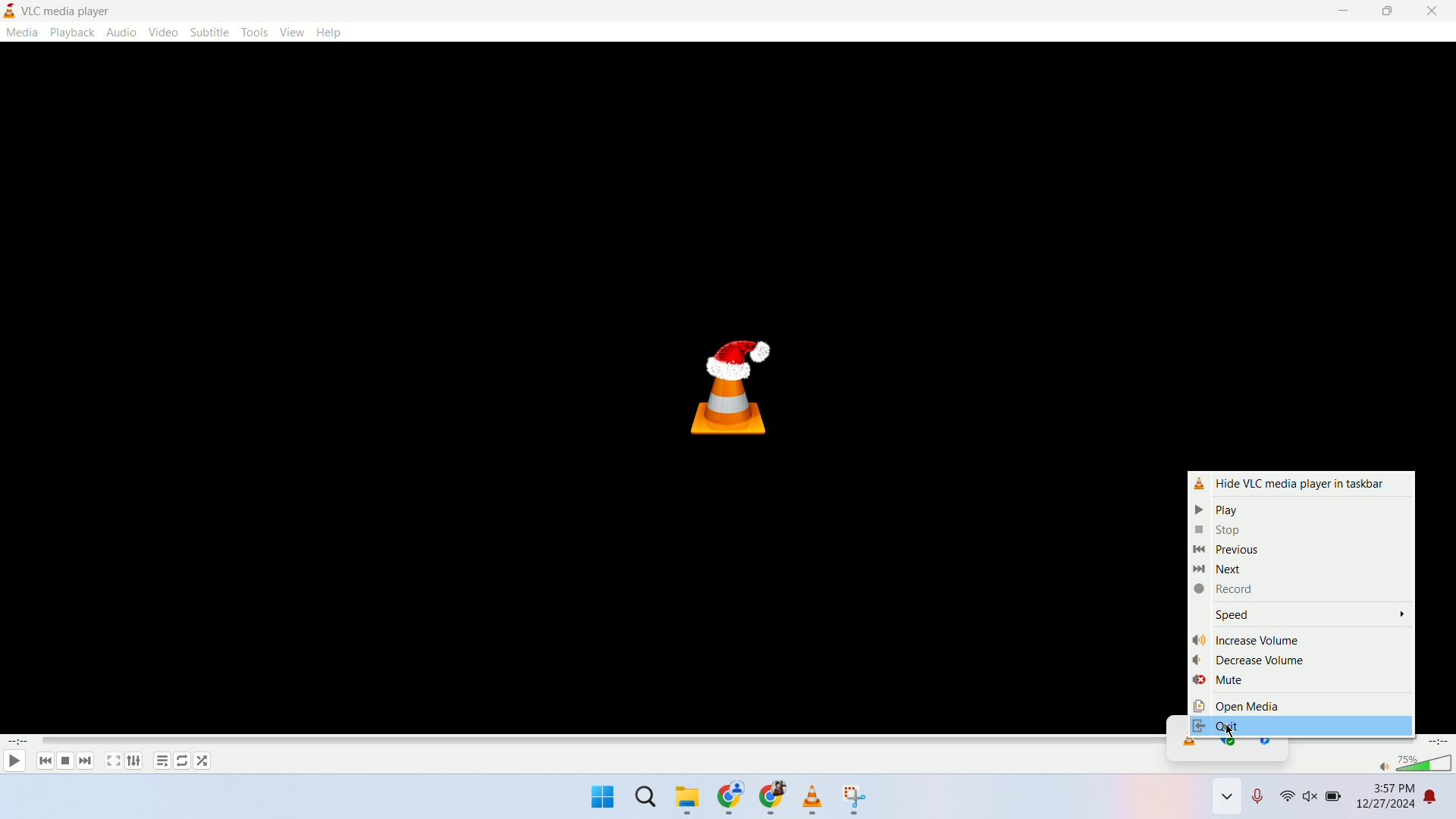 This screenshot has height=819, width=1456. What do you see at coordinates (64, 761) in the screenshot?
I see `stop` at bounding box center [64, 761].